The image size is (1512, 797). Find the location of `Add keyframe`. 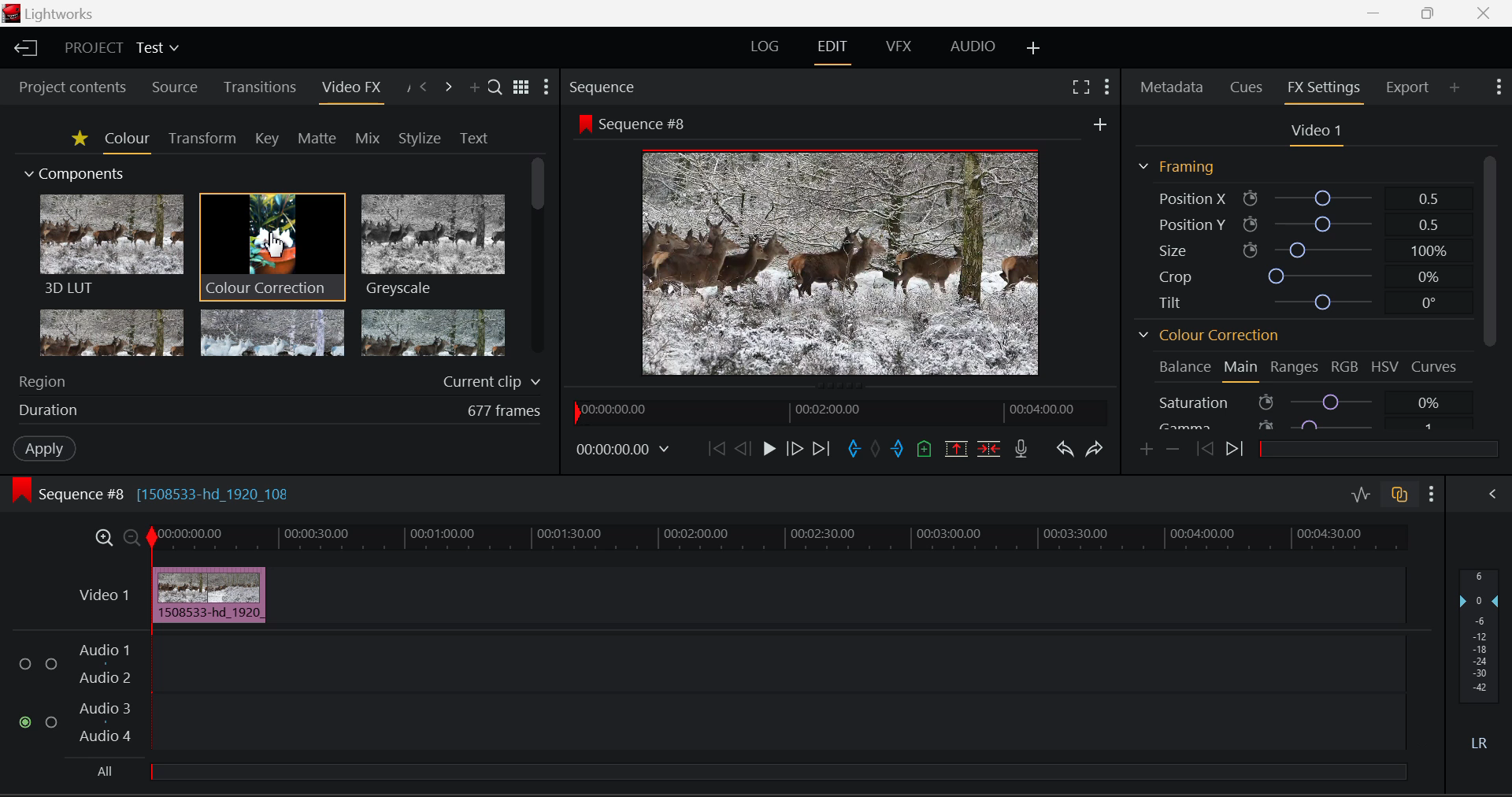

Add keyframe is located at coordinates (1147, 450).